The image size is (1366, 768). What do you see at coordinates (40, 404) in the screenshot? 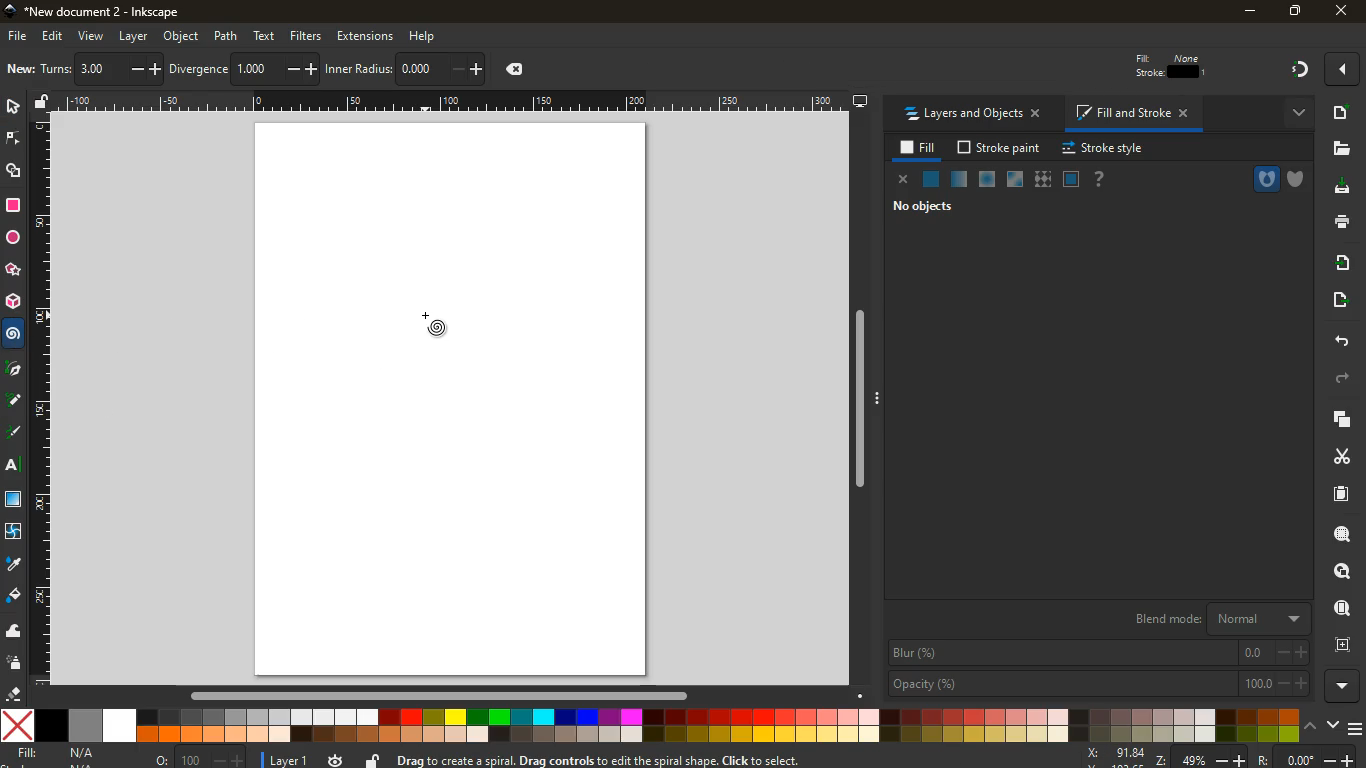
I see `` at bounding box center [40, 404].